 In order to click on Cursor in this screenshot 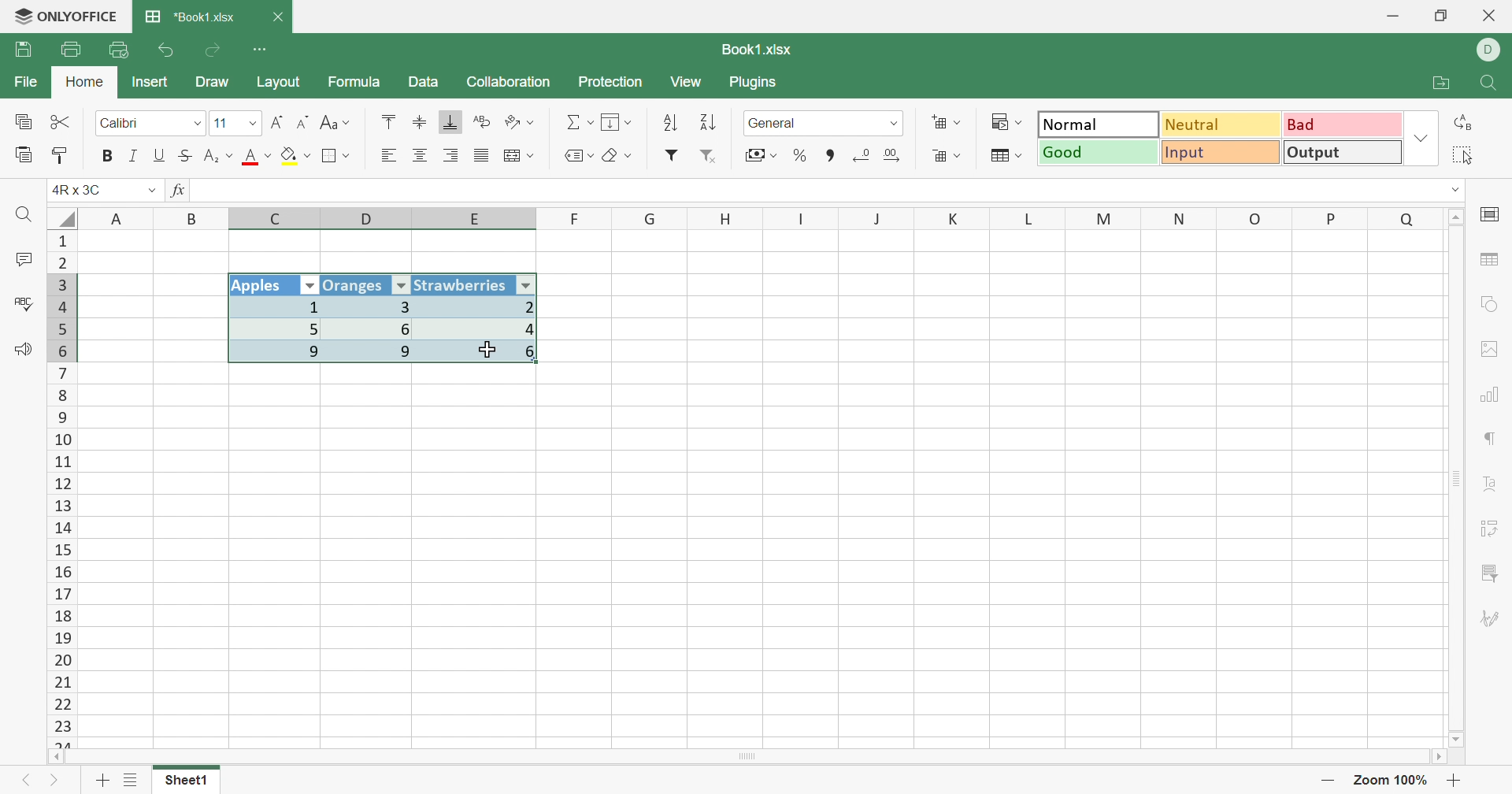, I will do `click(488, 348)`.